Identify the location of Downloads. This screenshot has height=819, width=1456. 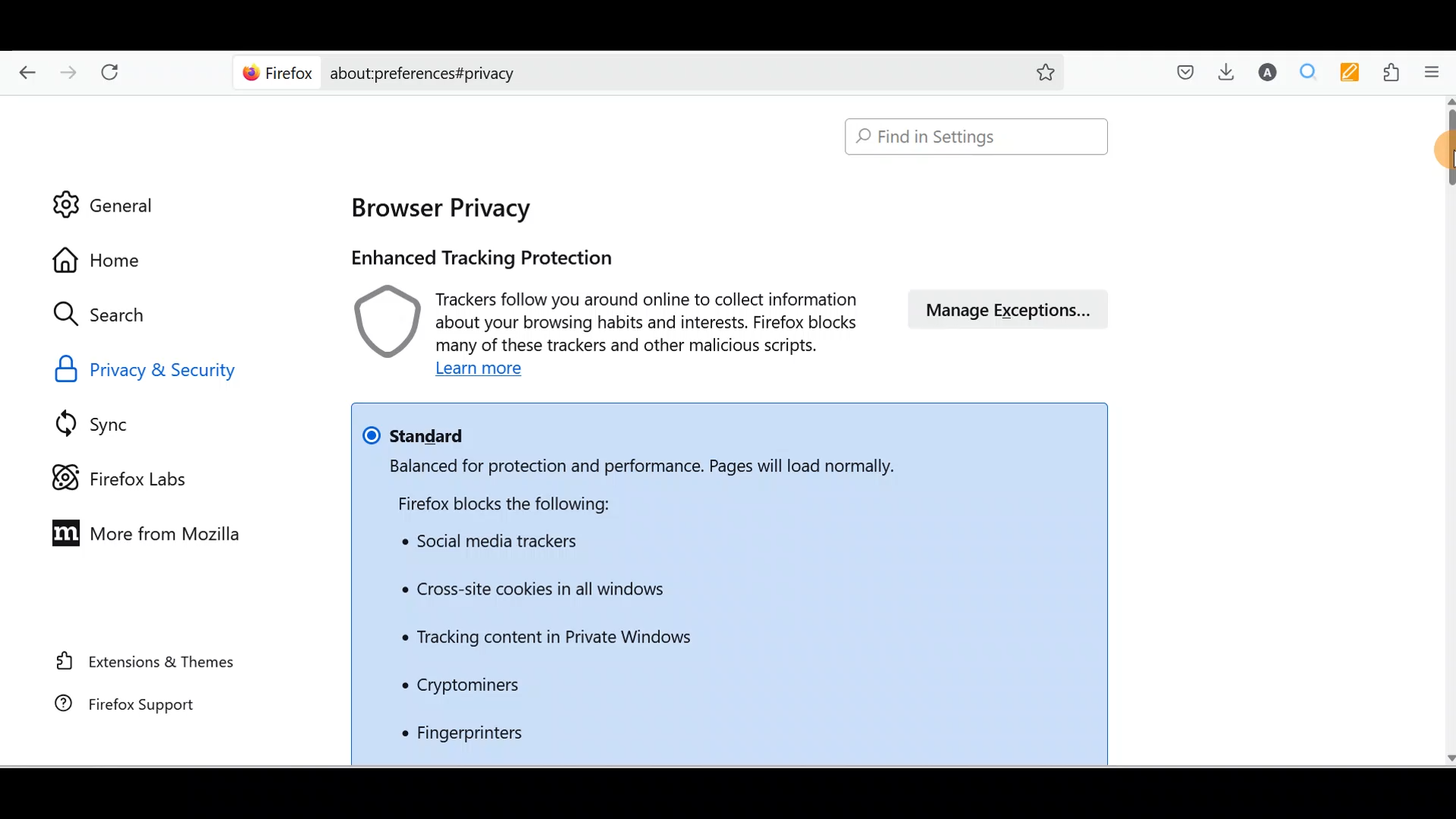
(1232, 71).